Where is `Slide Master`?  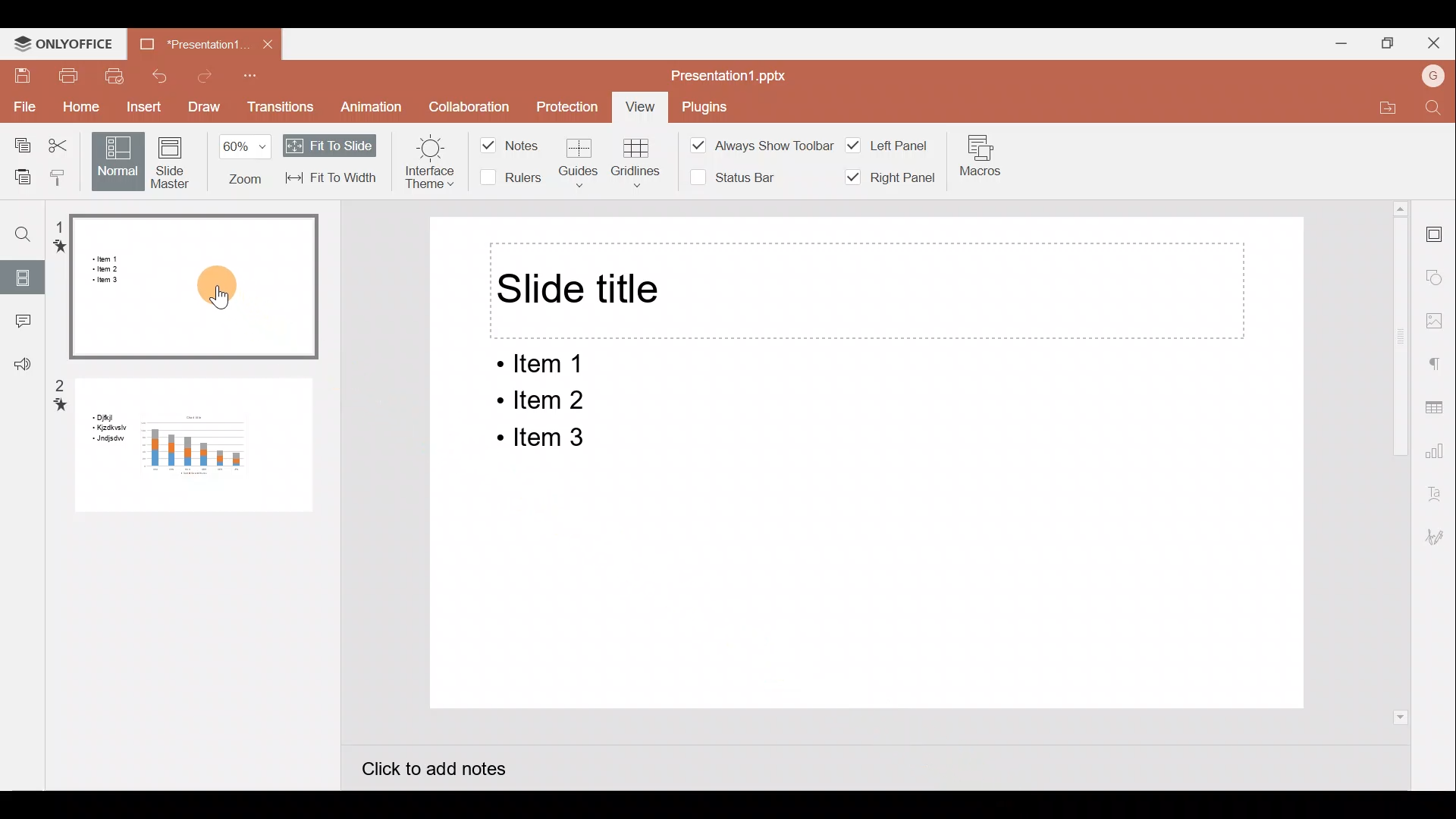 Slide Master is located at coordinates (170, 160).